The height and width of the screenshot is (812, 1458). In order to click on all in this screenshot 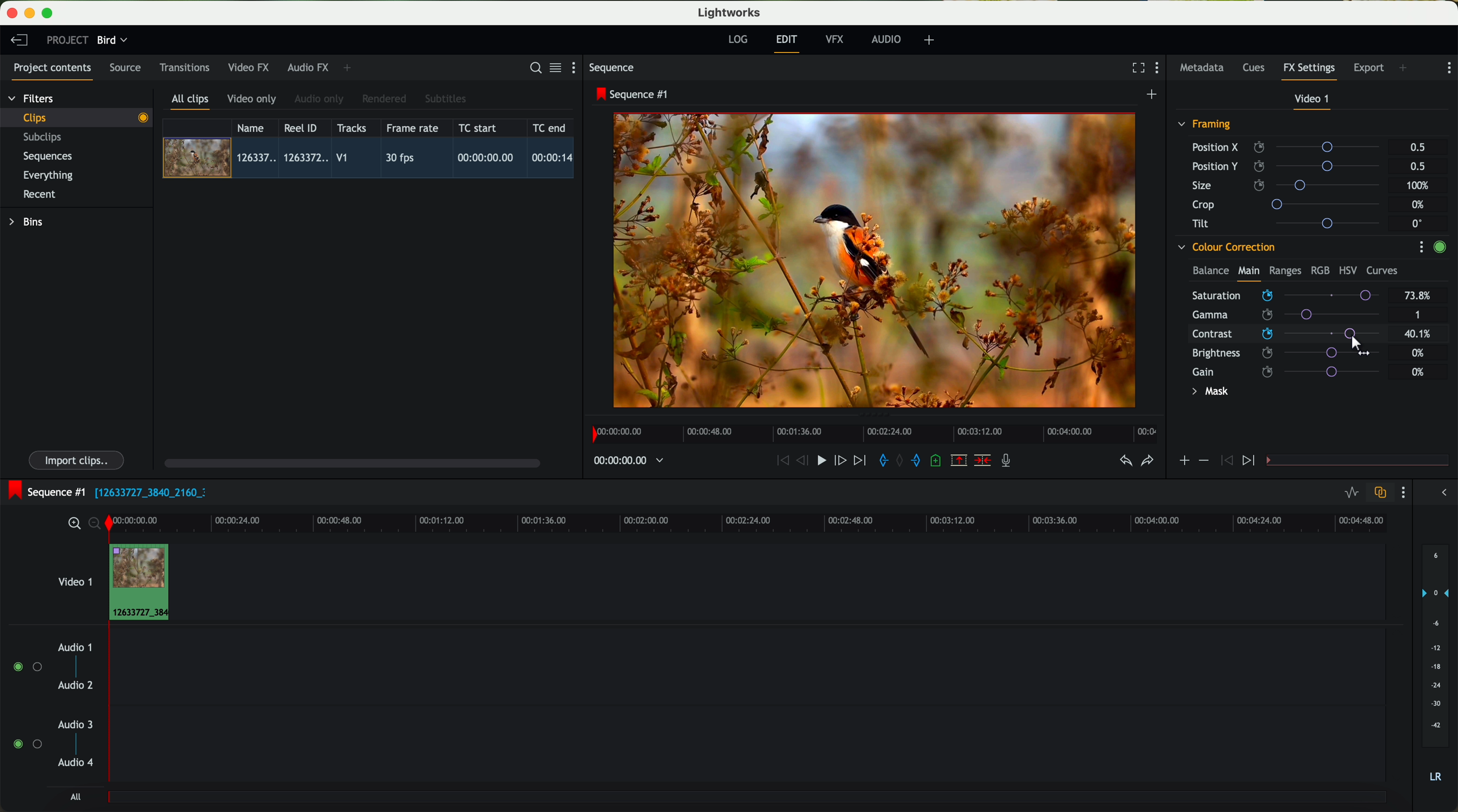, I will do `click(75, 797)`.